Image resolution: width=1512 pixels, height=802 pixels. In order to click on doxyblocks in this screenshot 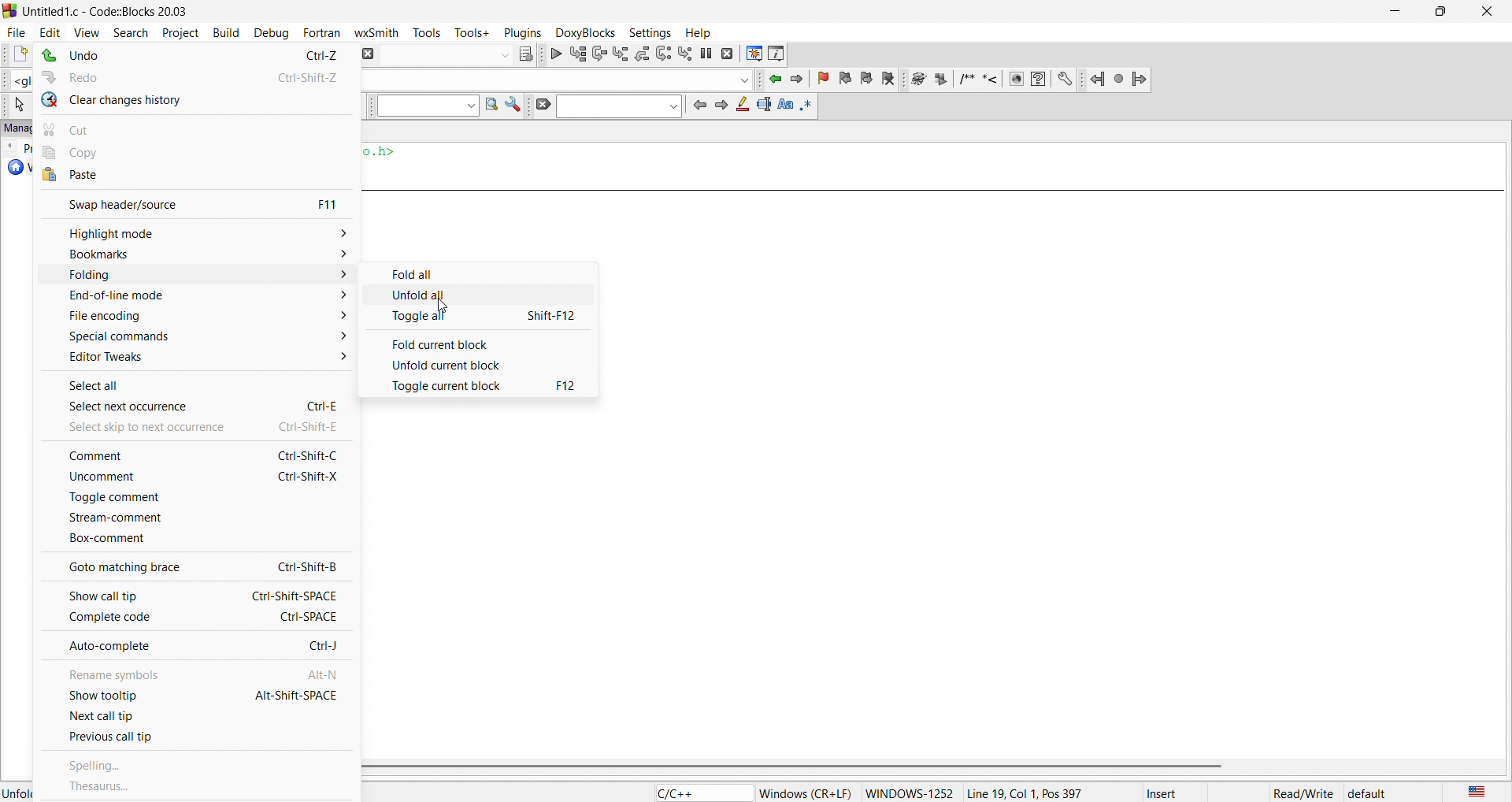, I will do `click(583, 31)`.